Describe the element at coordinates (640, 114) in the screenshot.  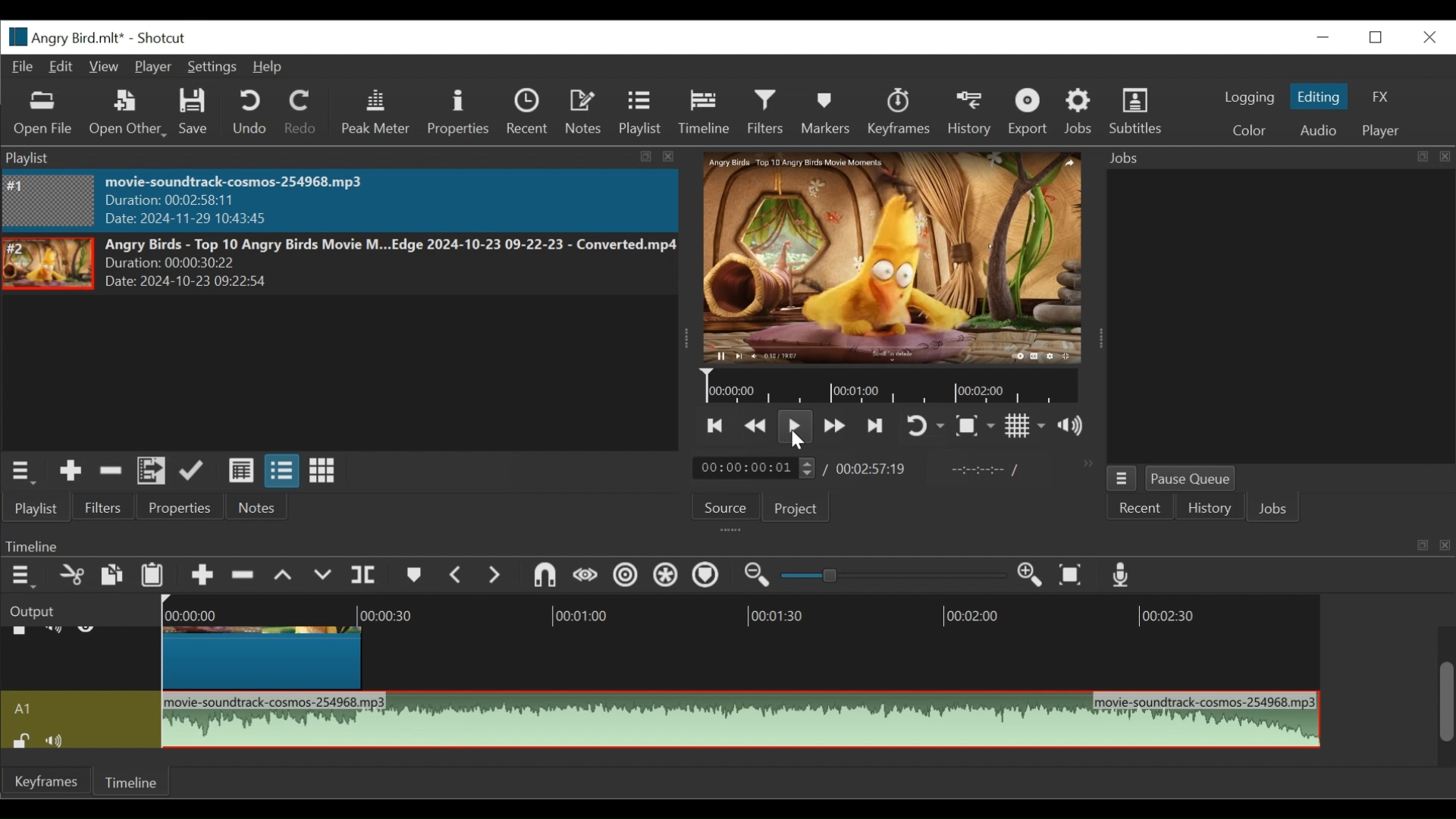
I see `Playlist` at that location.